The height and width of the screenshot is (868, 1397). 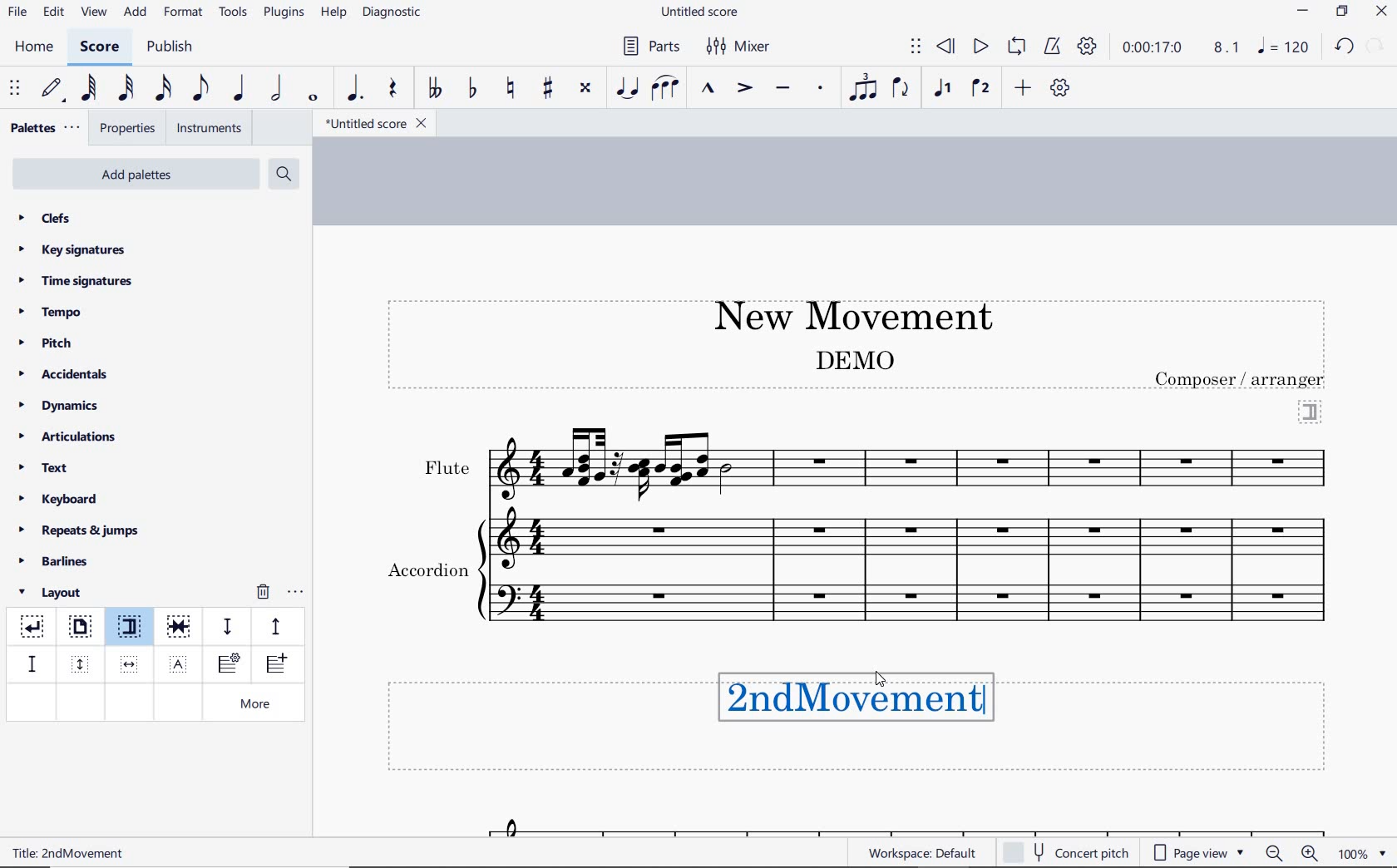 I want to click on 64th note, so click(x=91, y=88).